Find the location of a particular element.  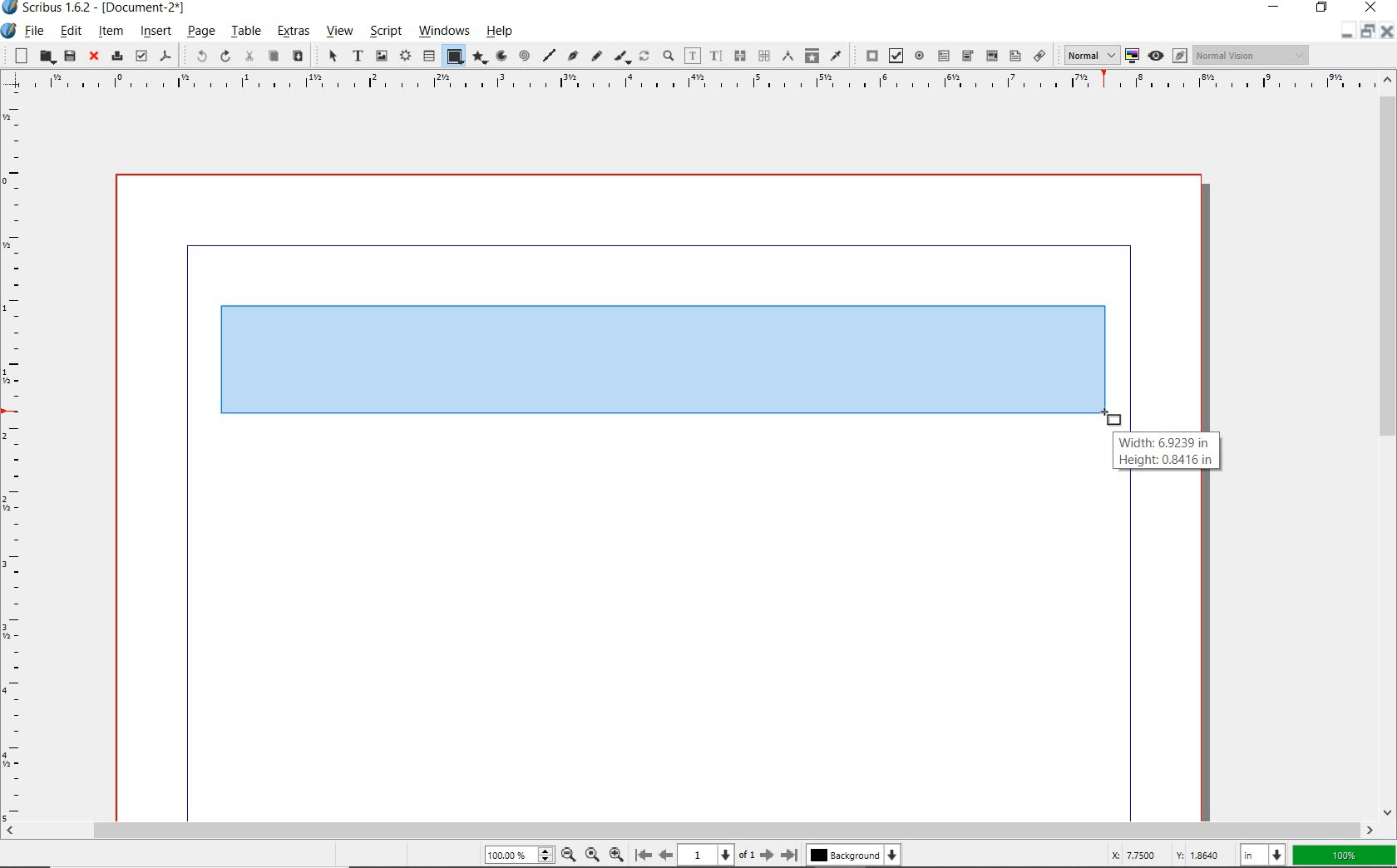

scrollbar is located at coordinates (690, 829).